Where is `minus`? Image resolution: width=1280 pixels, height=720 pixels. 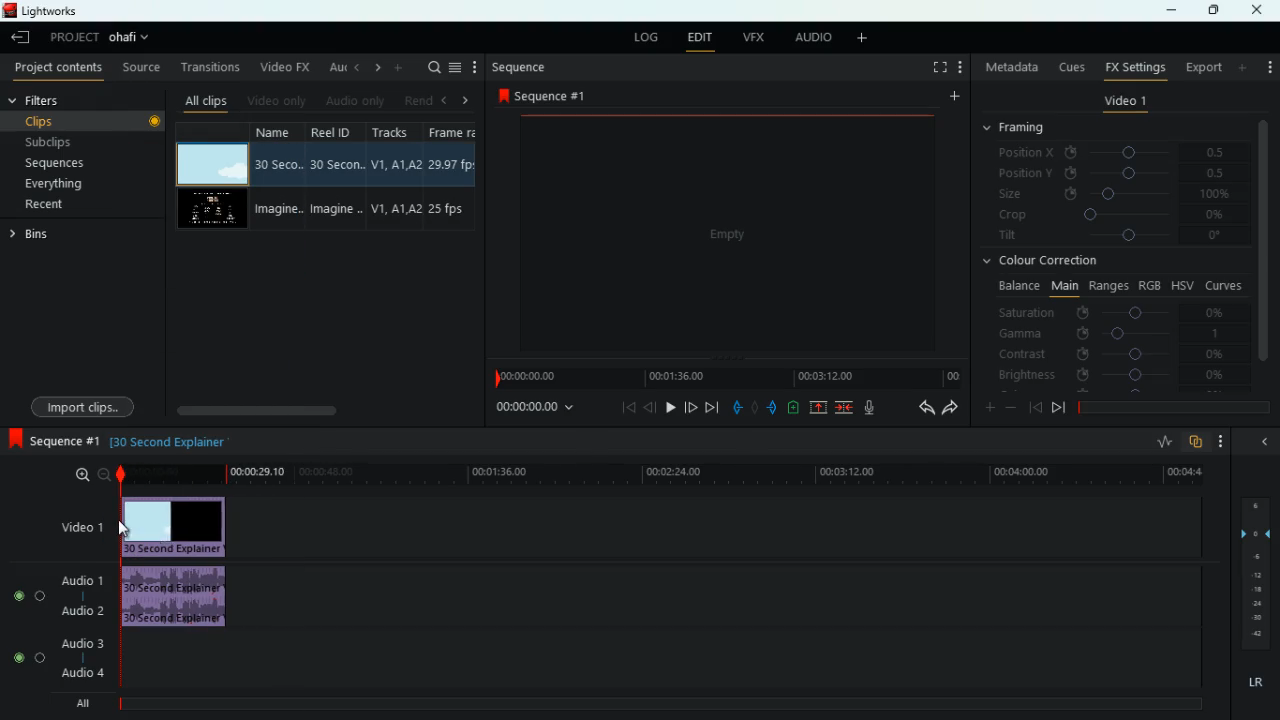 minus is located at coordinates (1011, 407).